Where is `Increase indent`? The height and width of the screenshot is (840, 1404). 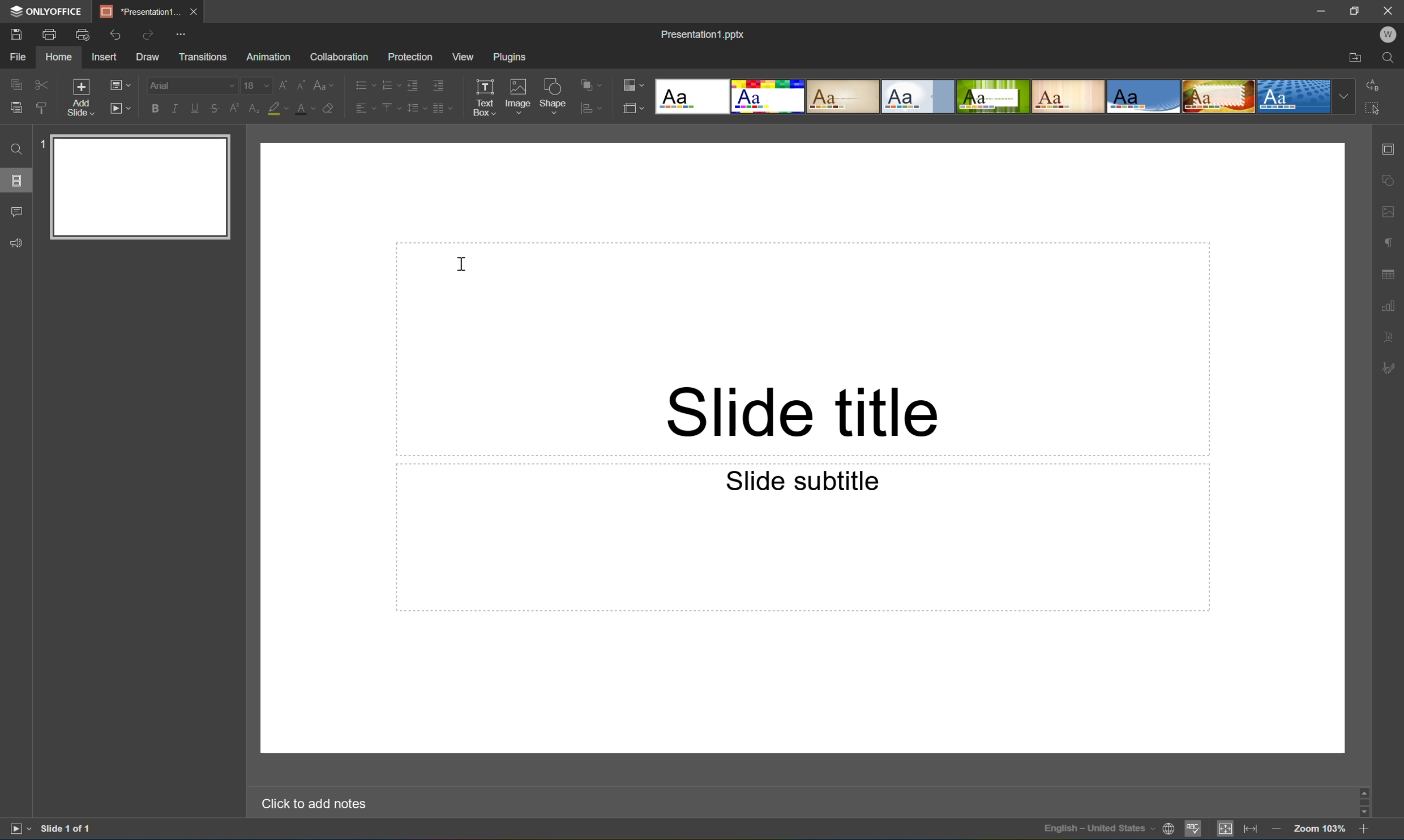
Increase indent is located at coordinates (438, 86).